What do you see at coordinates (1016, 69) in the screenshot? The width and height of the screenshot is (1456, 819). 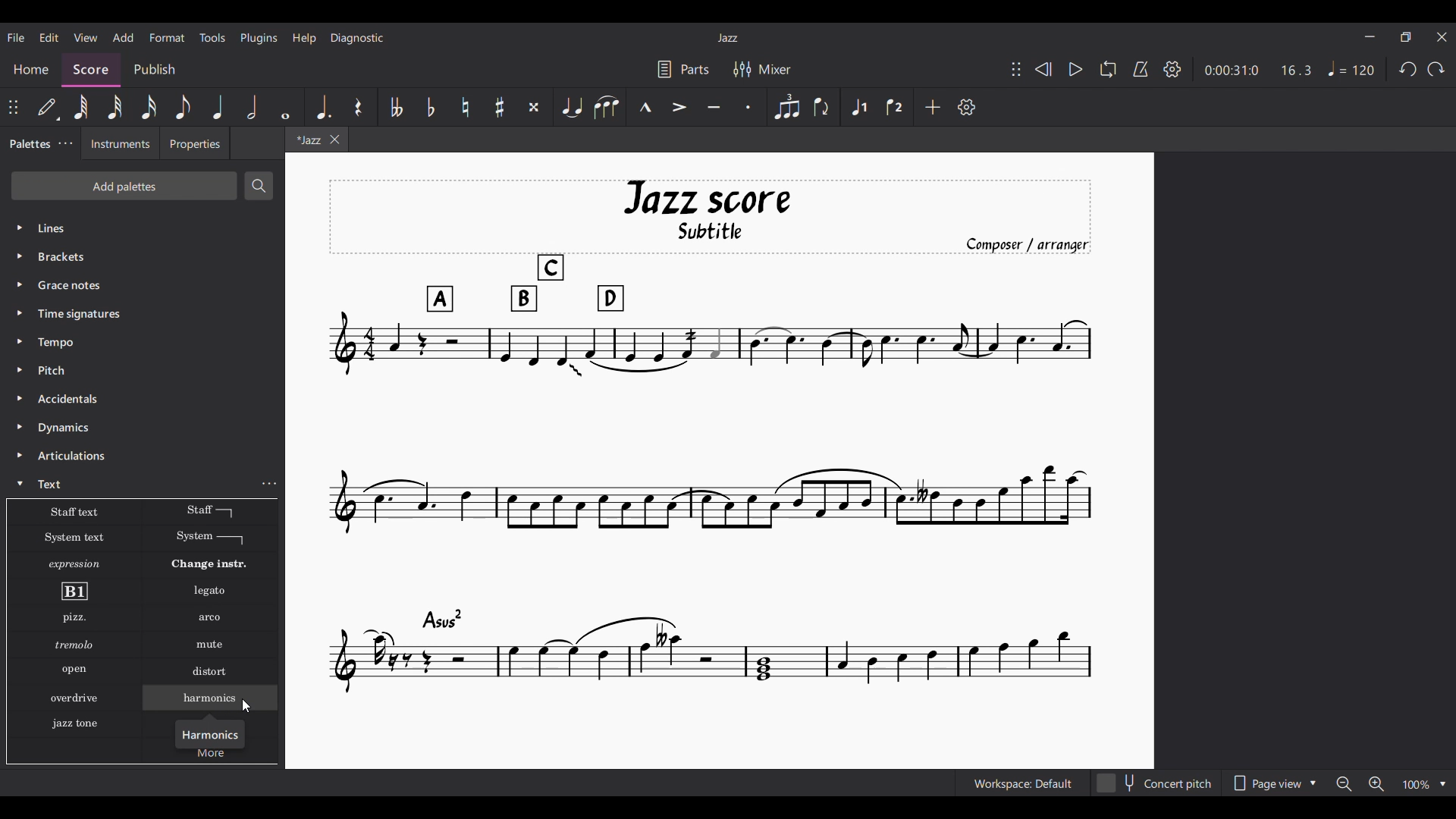 I see `Change position` at bounding box center [1016, 69].